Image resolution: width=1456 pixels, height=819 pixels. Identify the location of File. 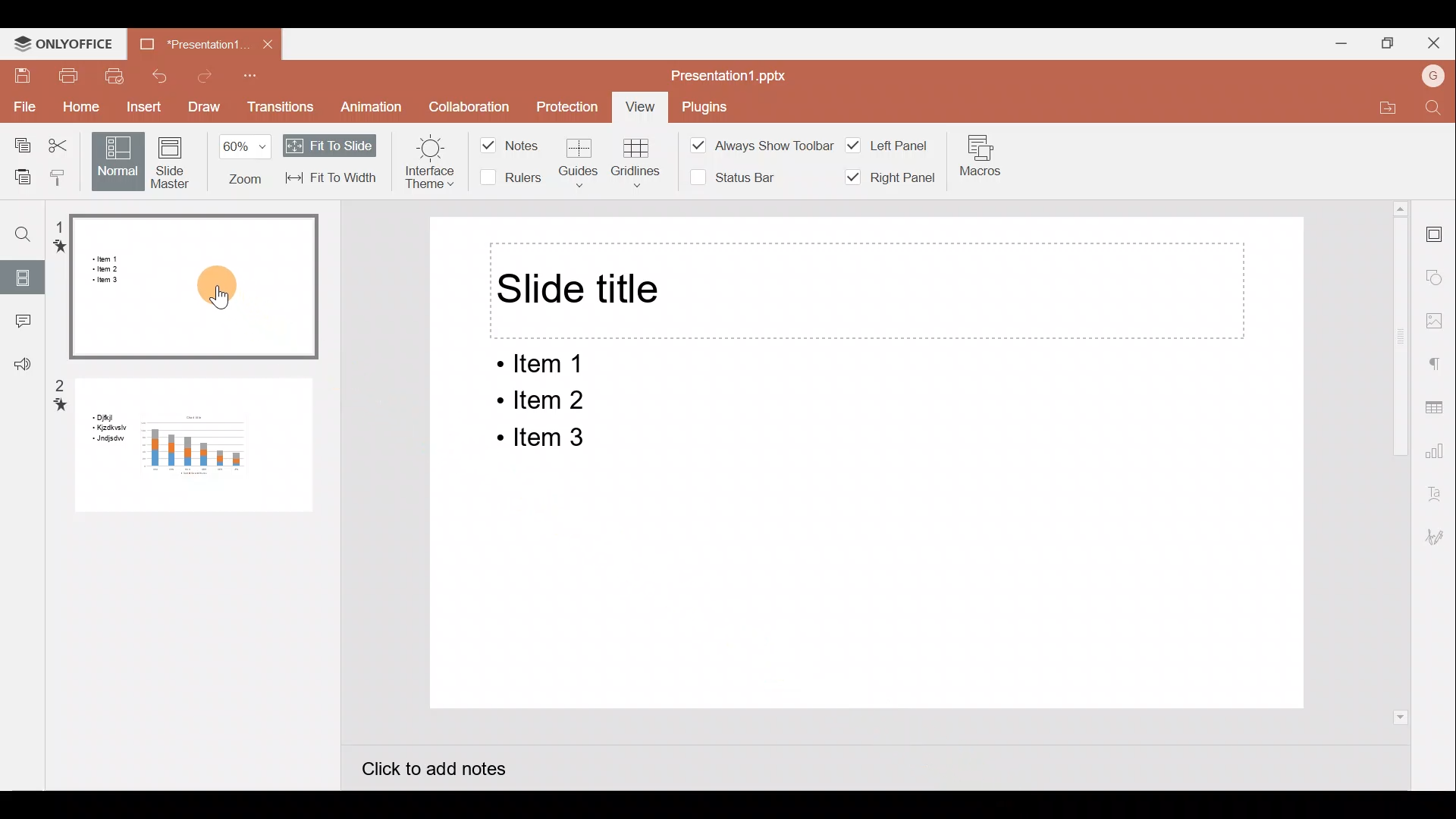
(21, 107).